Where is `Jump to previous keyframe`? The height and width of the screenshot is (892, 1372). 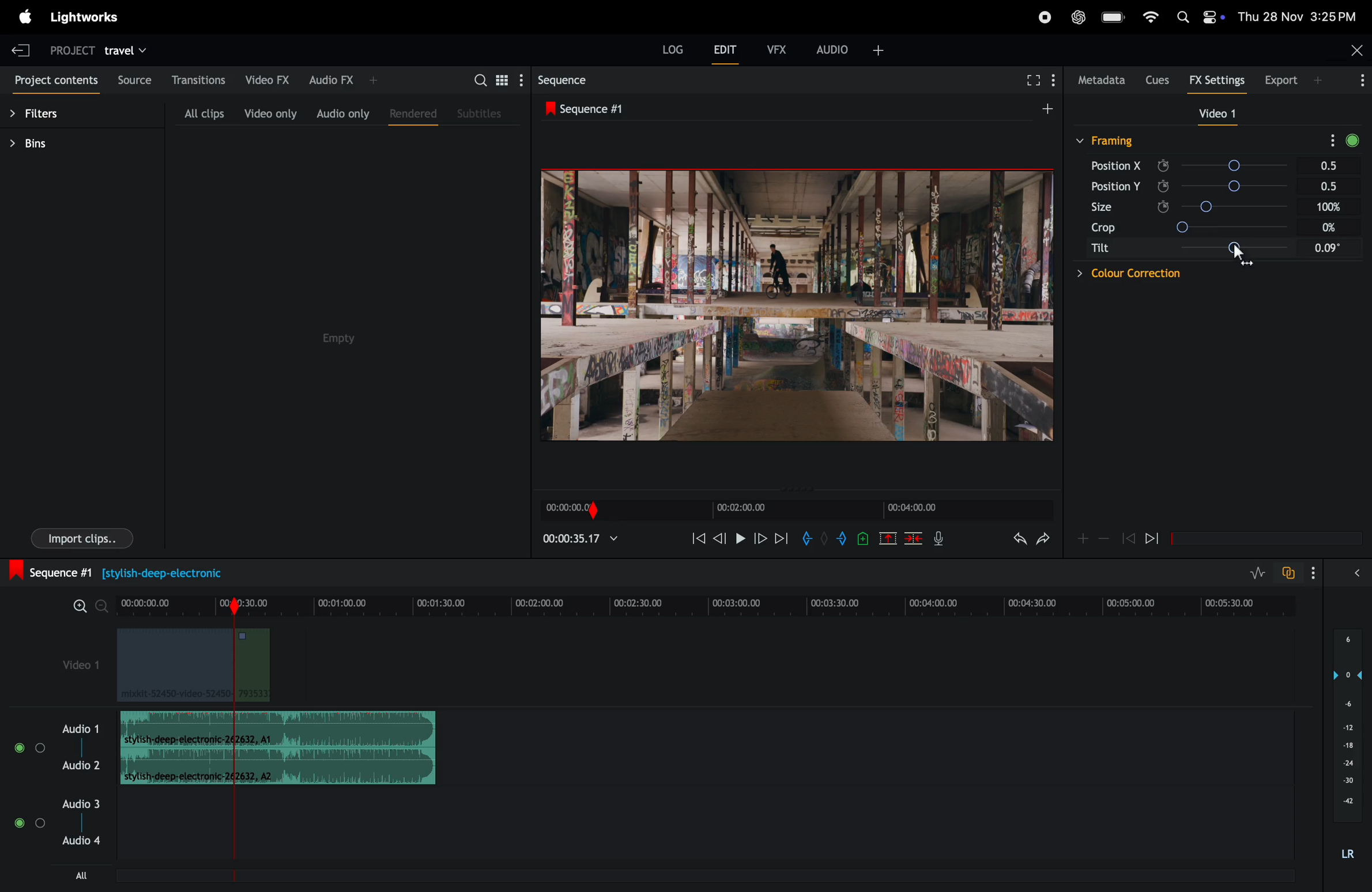 Jump to previous keyframe is located at coordinates (1129, 537).